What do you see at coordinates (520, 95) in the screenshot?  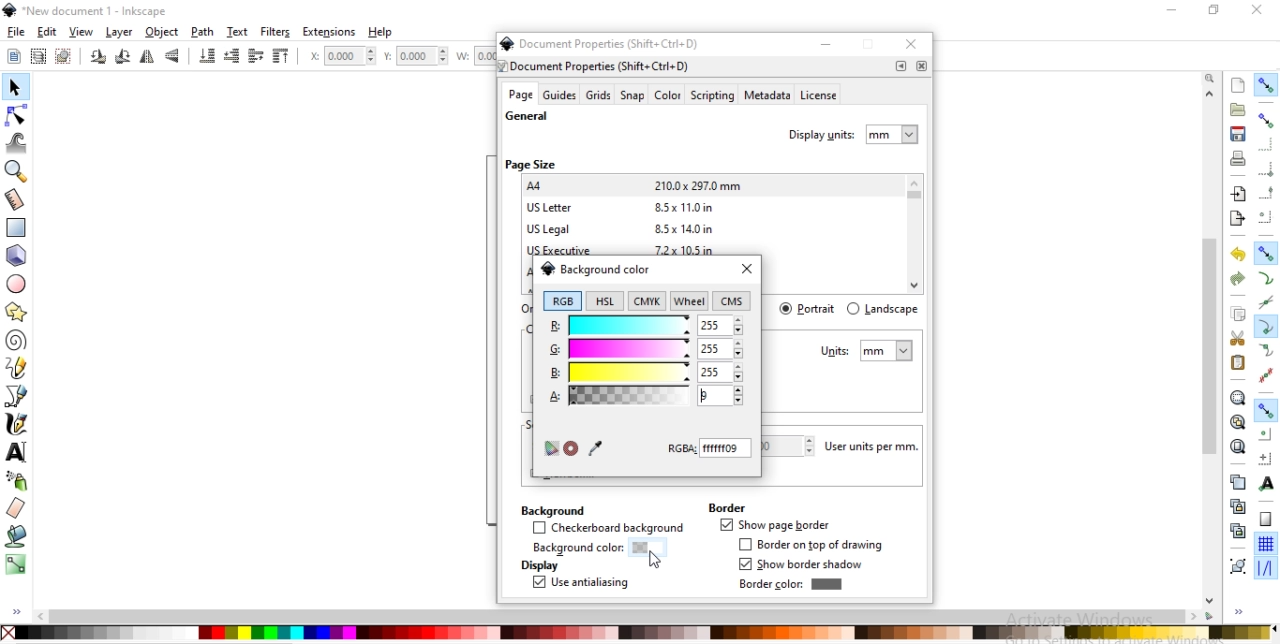 I see `age` at bounding box center [520, 95].